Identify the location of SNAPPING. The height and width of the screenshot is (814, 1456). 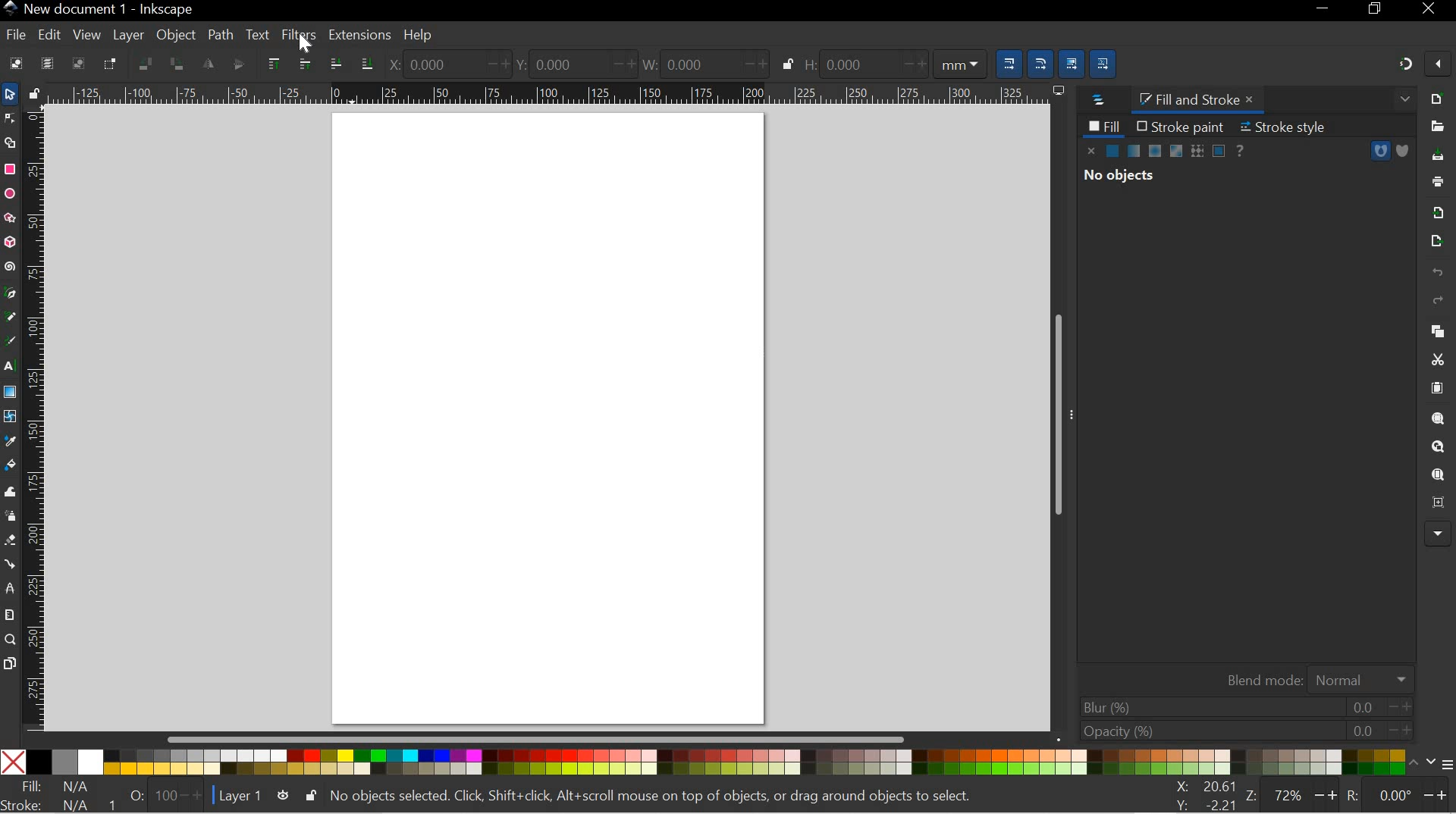
(1406, 64).